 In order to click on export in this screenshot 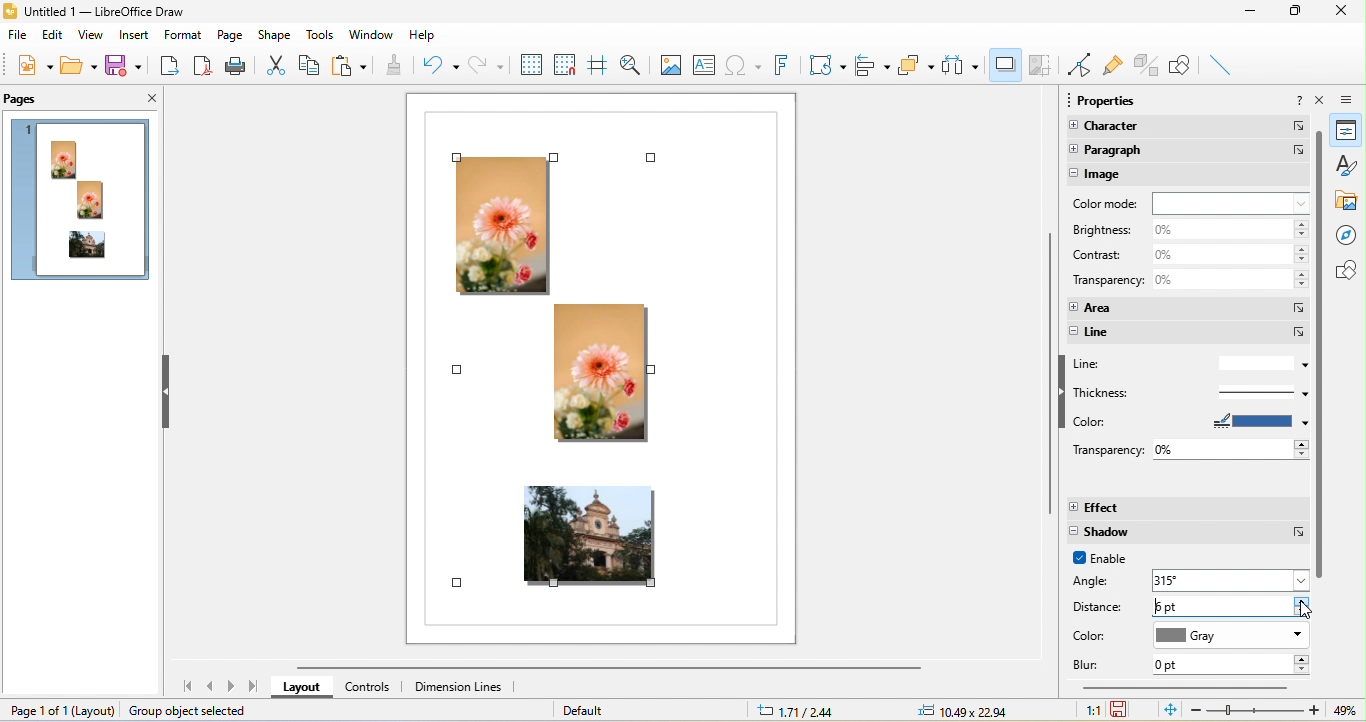, I will do `click(171, 68)`.